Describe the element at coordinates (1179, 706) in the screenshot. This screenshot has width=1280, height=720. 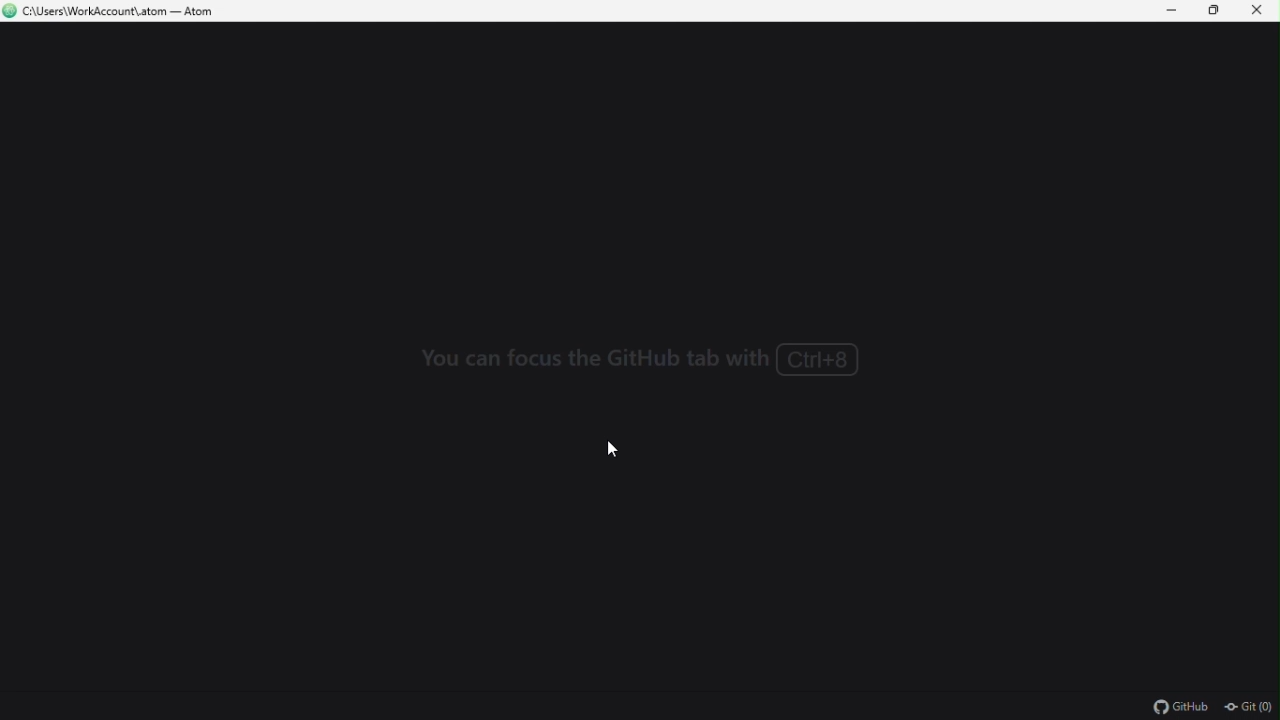
I see `github` at that location.